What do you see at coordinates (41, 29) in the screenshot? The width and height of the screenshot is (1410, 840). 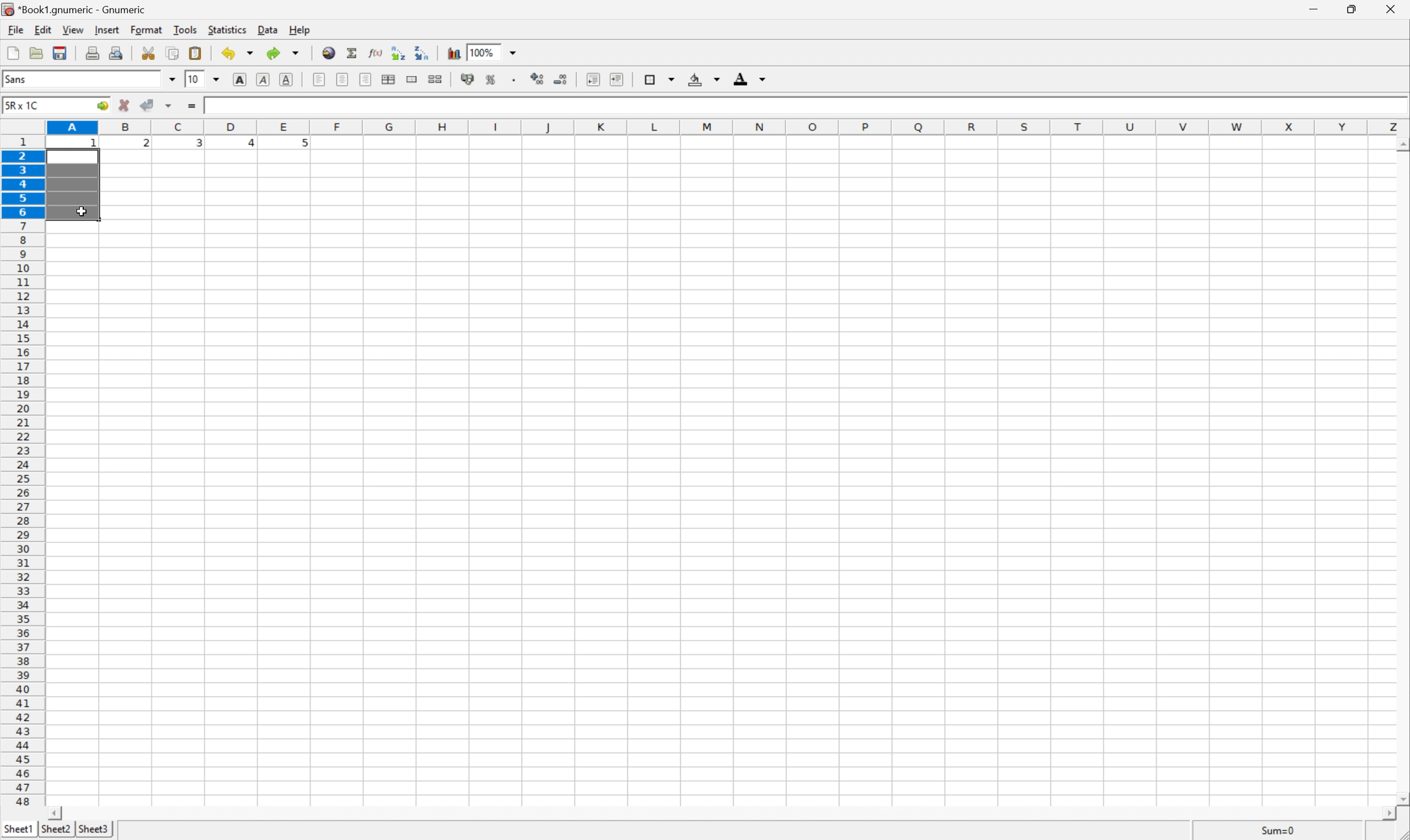 I see `edit` at bounding box center [41, 29].